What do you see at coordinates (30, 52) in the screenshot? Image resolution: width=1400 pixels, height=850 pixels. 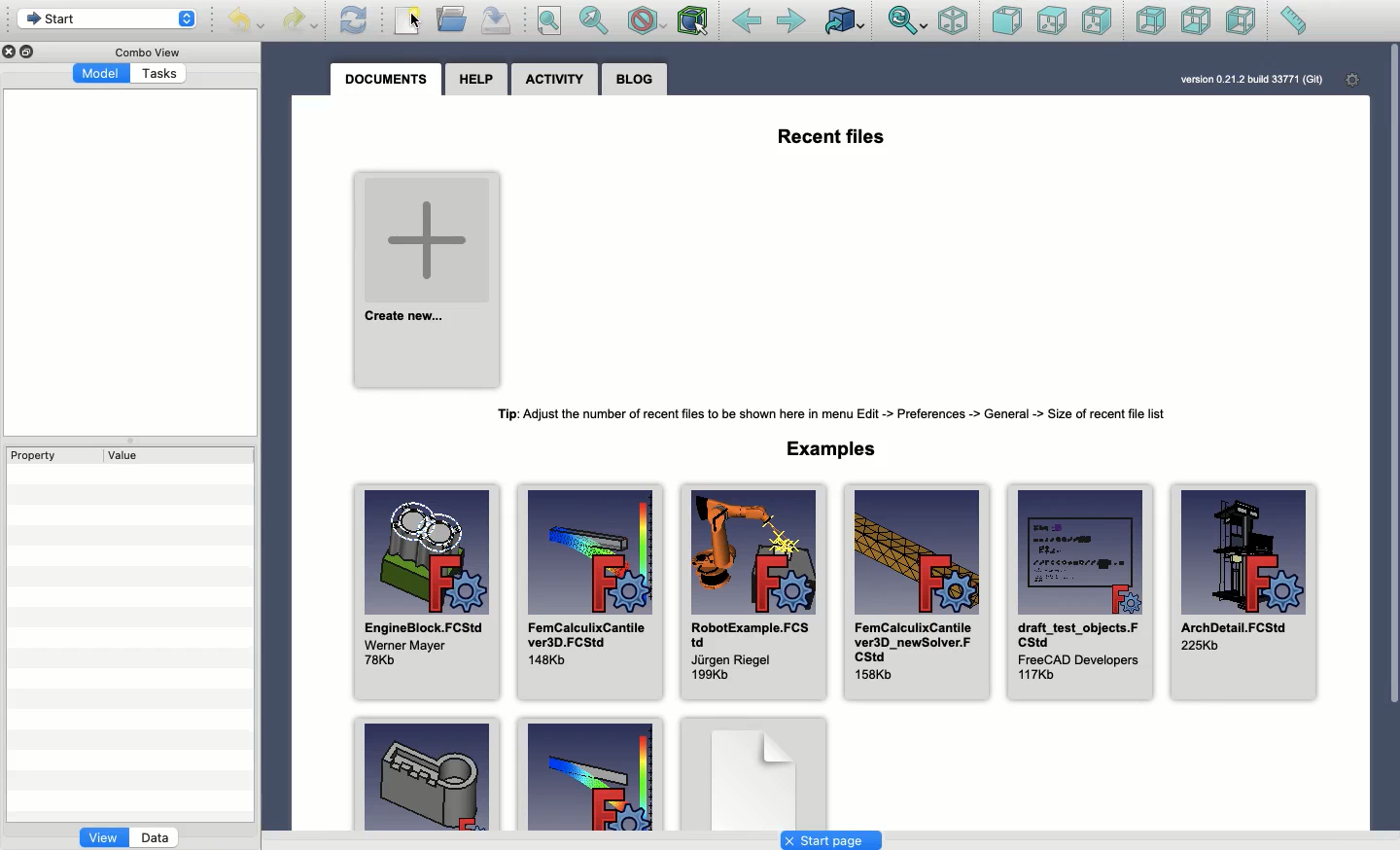 I see `Duplicate` at bounding box center [30, 52].